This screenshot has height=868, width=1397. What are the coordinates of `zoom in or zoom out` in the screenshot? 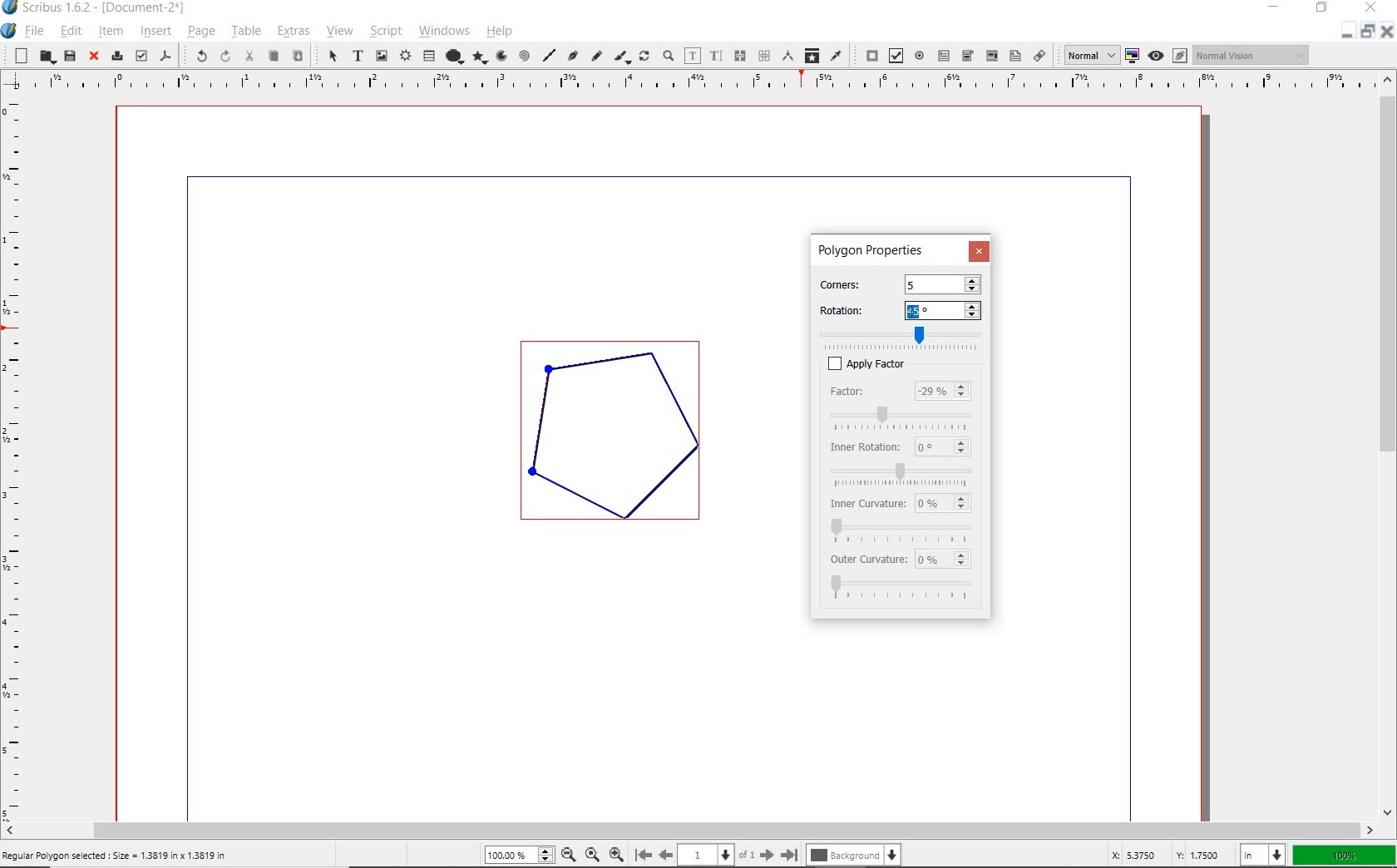 It's located at (668, 55).